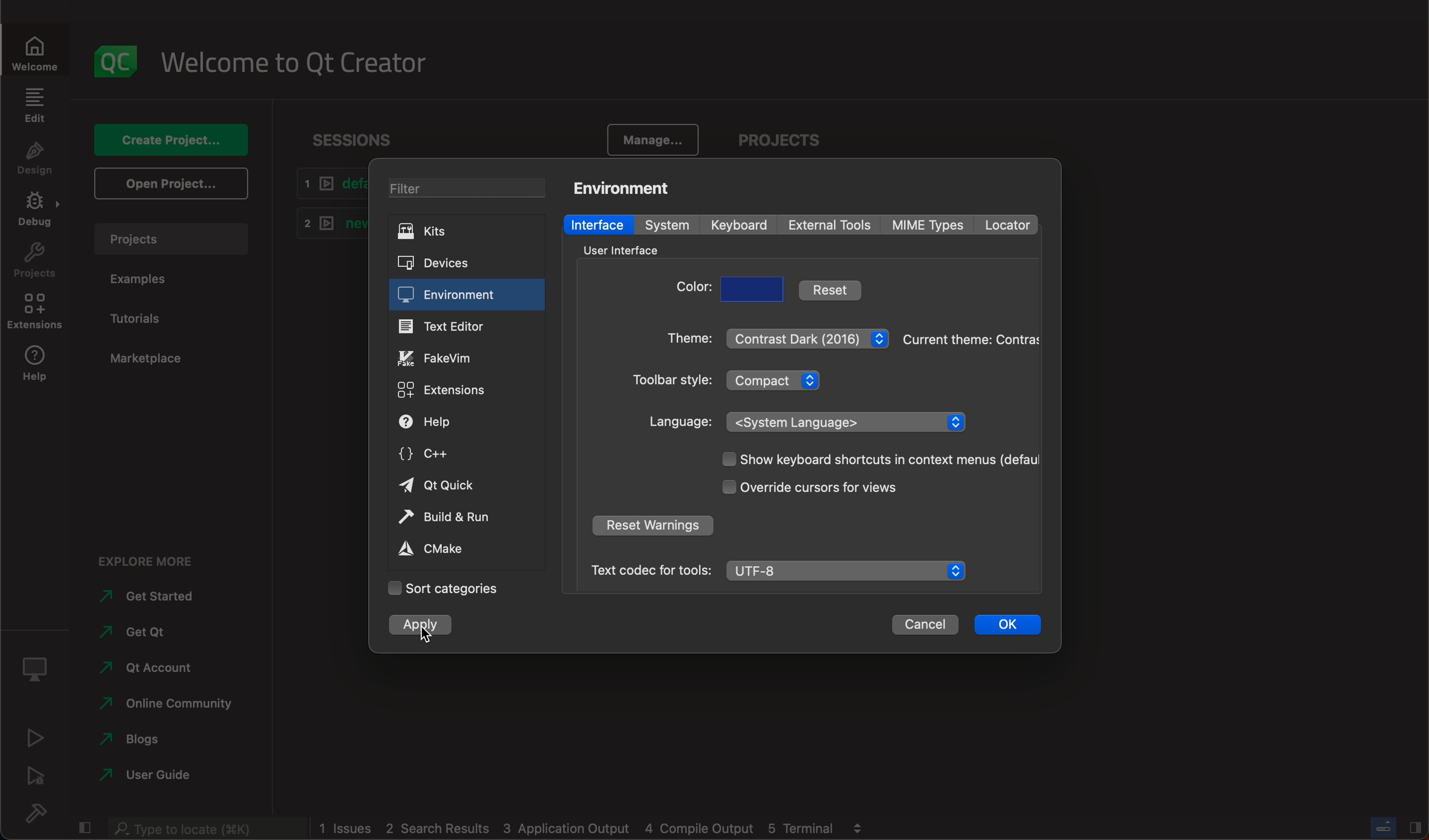 This screenshot has width=1429, height=840. I want to click on MIME, so click(929, 225).